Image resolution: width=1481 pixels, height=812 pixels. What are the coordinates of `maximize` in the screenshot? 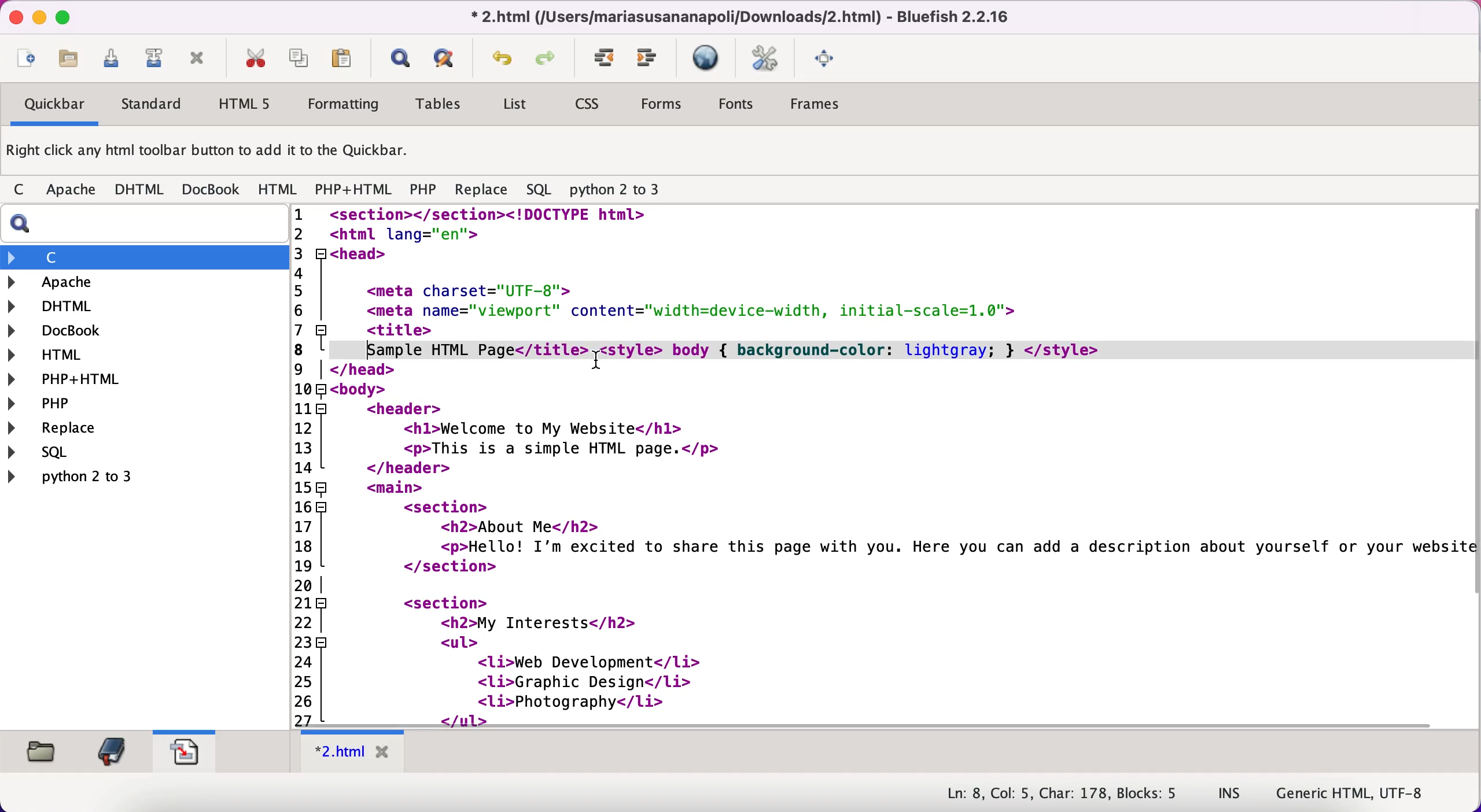 It's located at (63, 16).